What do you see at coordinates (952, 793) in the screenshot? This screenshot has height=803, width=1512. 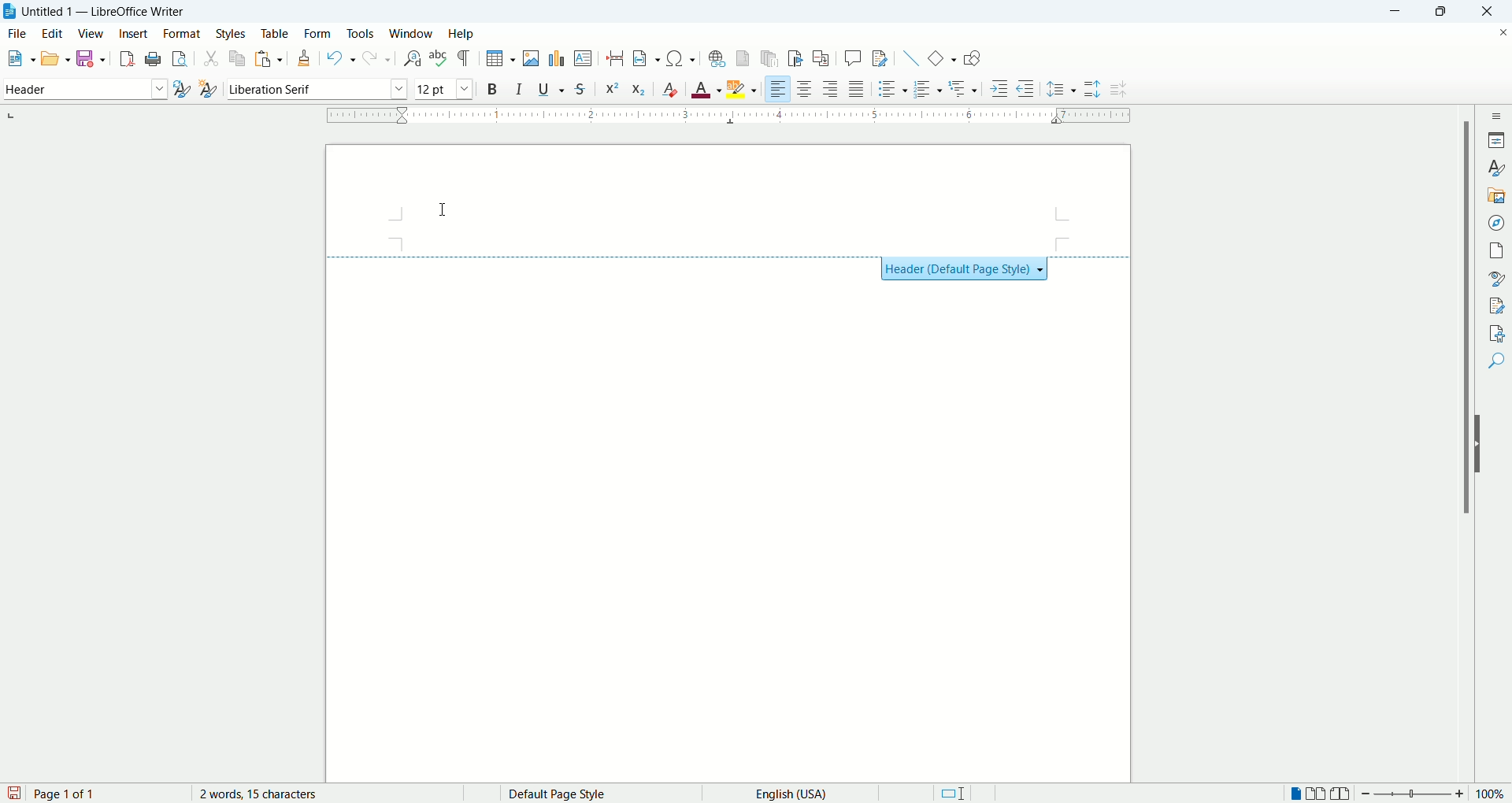 I see `standard selection` at bounding box center [952, 793].